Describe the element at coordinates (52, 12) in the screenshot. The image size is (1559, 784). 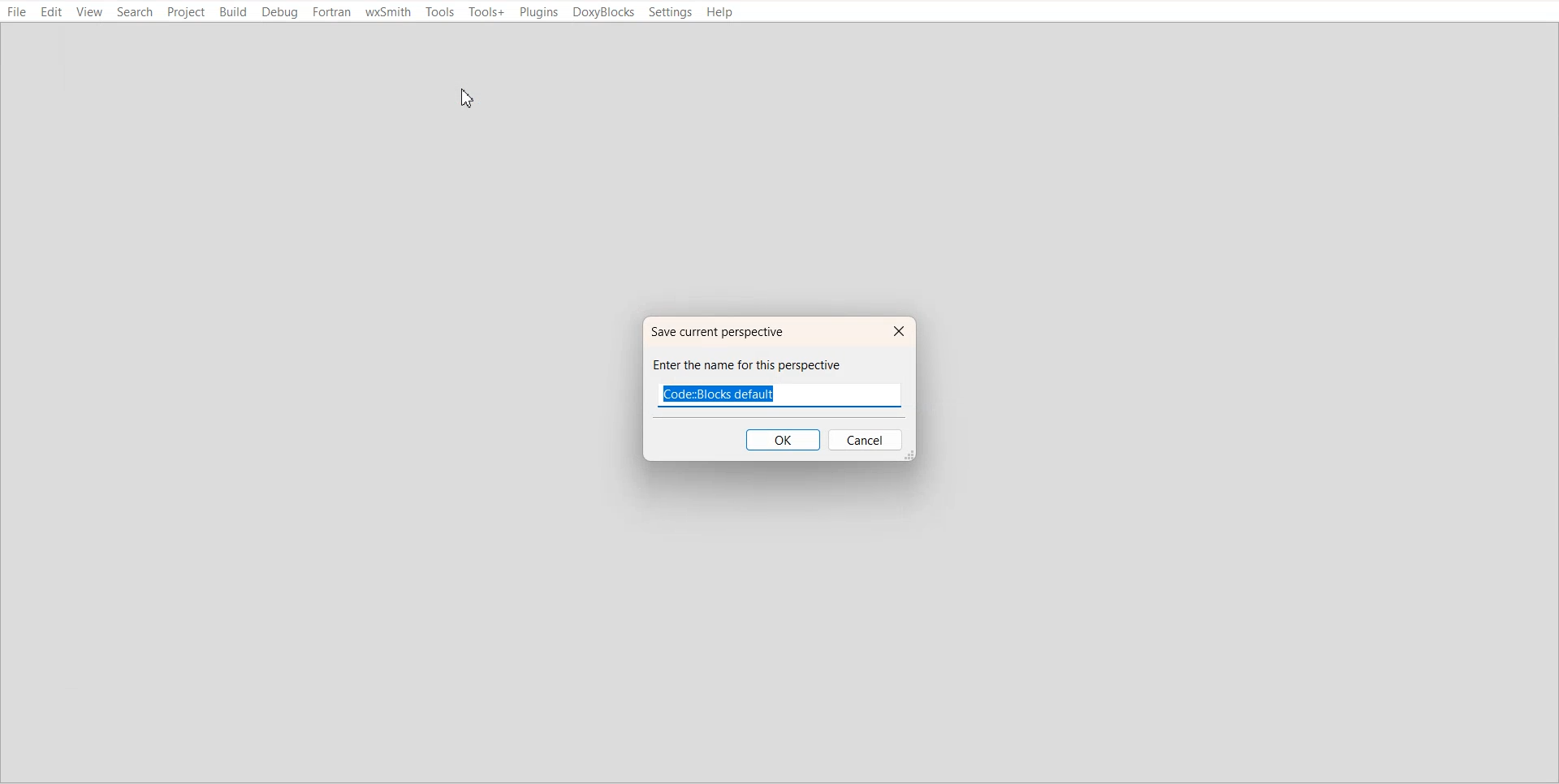
I see `Edit` at that location.